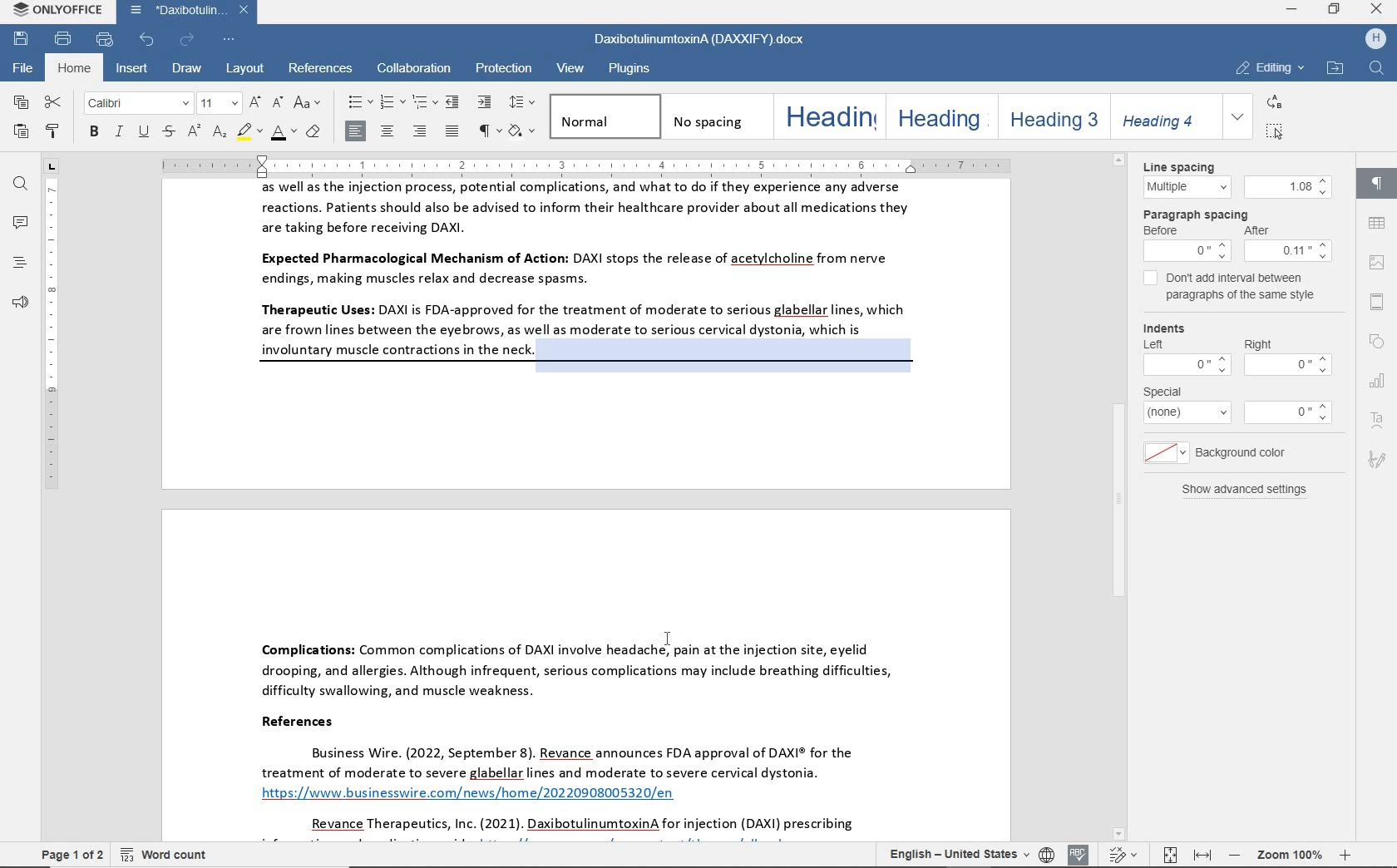  Describe the element at coordinates (253, 102) in the screenshot. I see `increment font size` at that location.